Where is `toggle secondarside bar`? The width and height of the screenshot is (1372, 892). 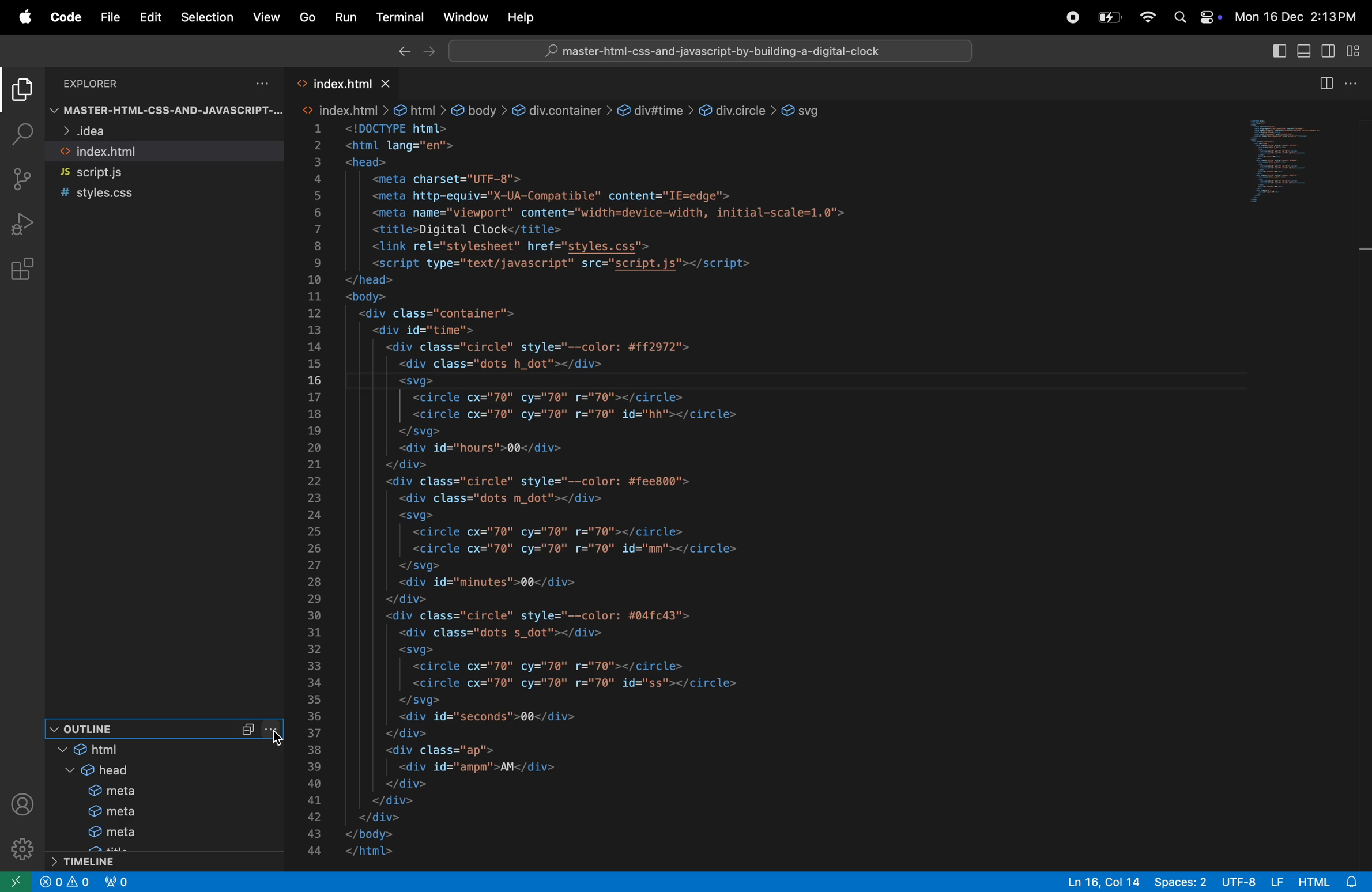
toggle secondarside bar is located at coordinates (1333, 52).